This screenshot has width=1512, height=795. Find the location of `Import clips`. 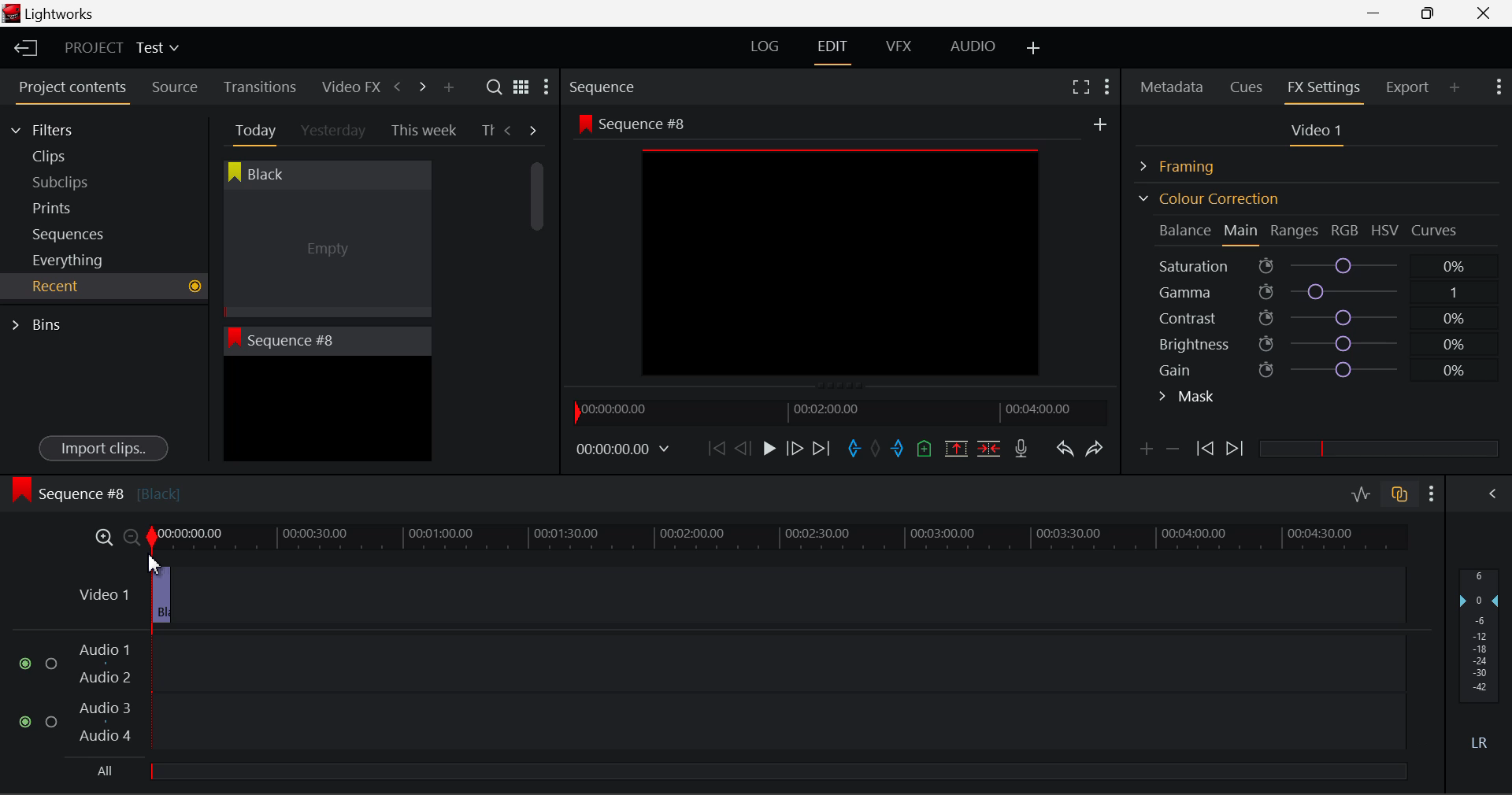

Import clips is located at coordinates (103, 449).